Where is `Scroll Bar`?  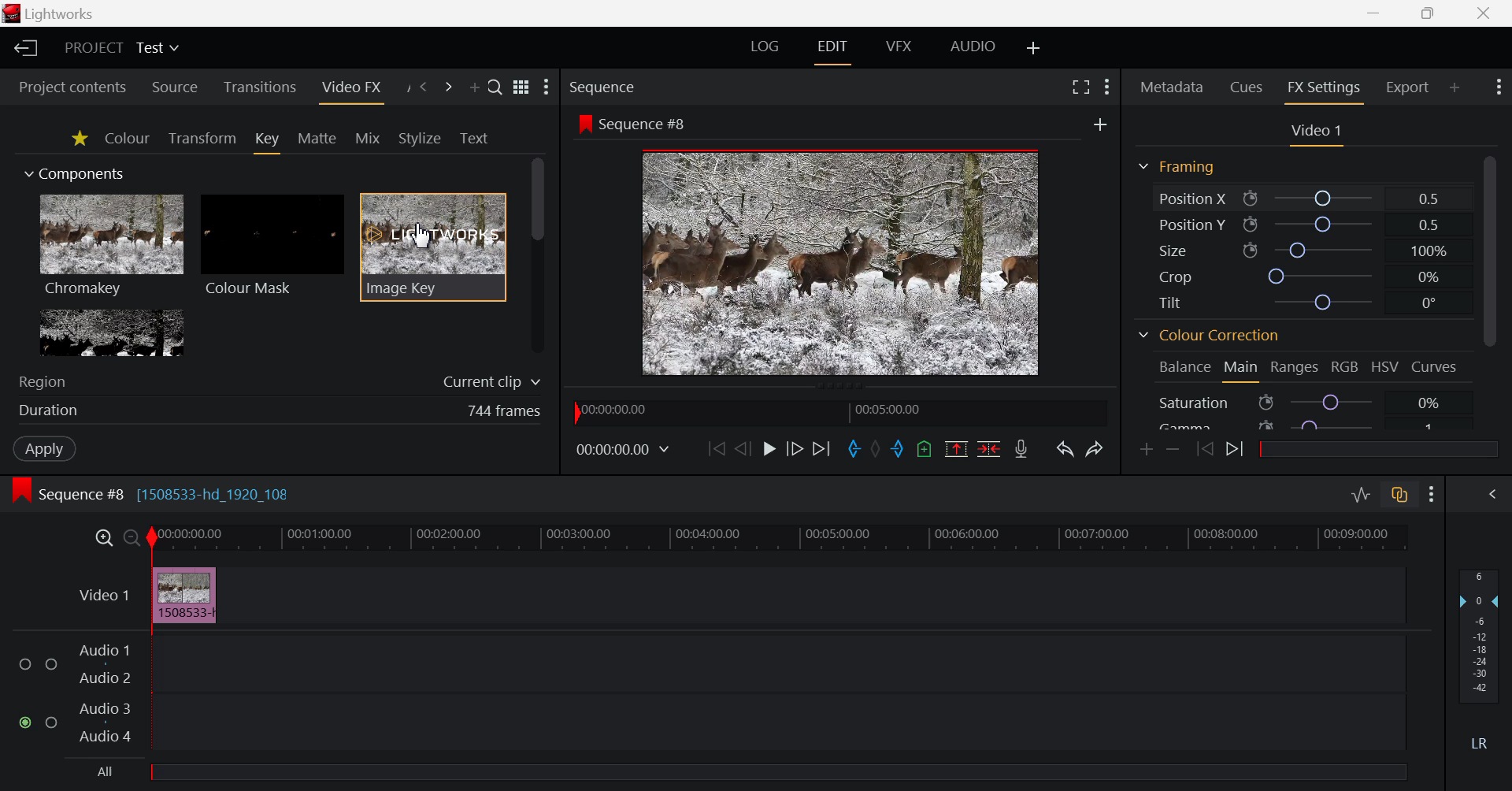
Scroll Bar is located at coordinates (538, 254).